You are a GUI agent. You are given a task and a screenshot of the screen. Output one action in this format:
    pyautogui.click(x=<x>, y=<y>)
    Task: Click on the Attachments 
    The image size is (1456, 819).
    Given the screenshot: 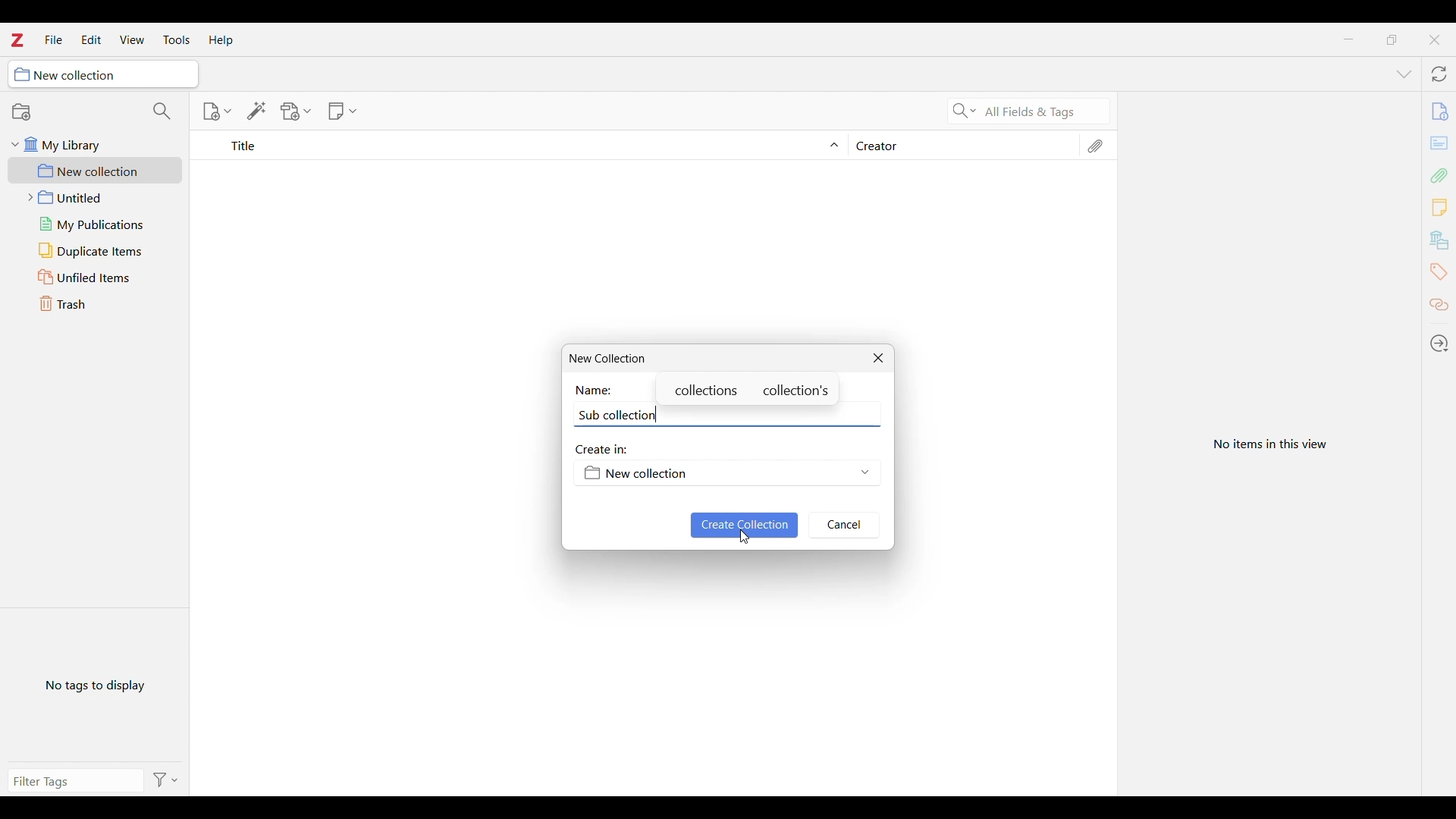 What is the action you would take?
    pyautogui.click(x=1094, y=146)
    